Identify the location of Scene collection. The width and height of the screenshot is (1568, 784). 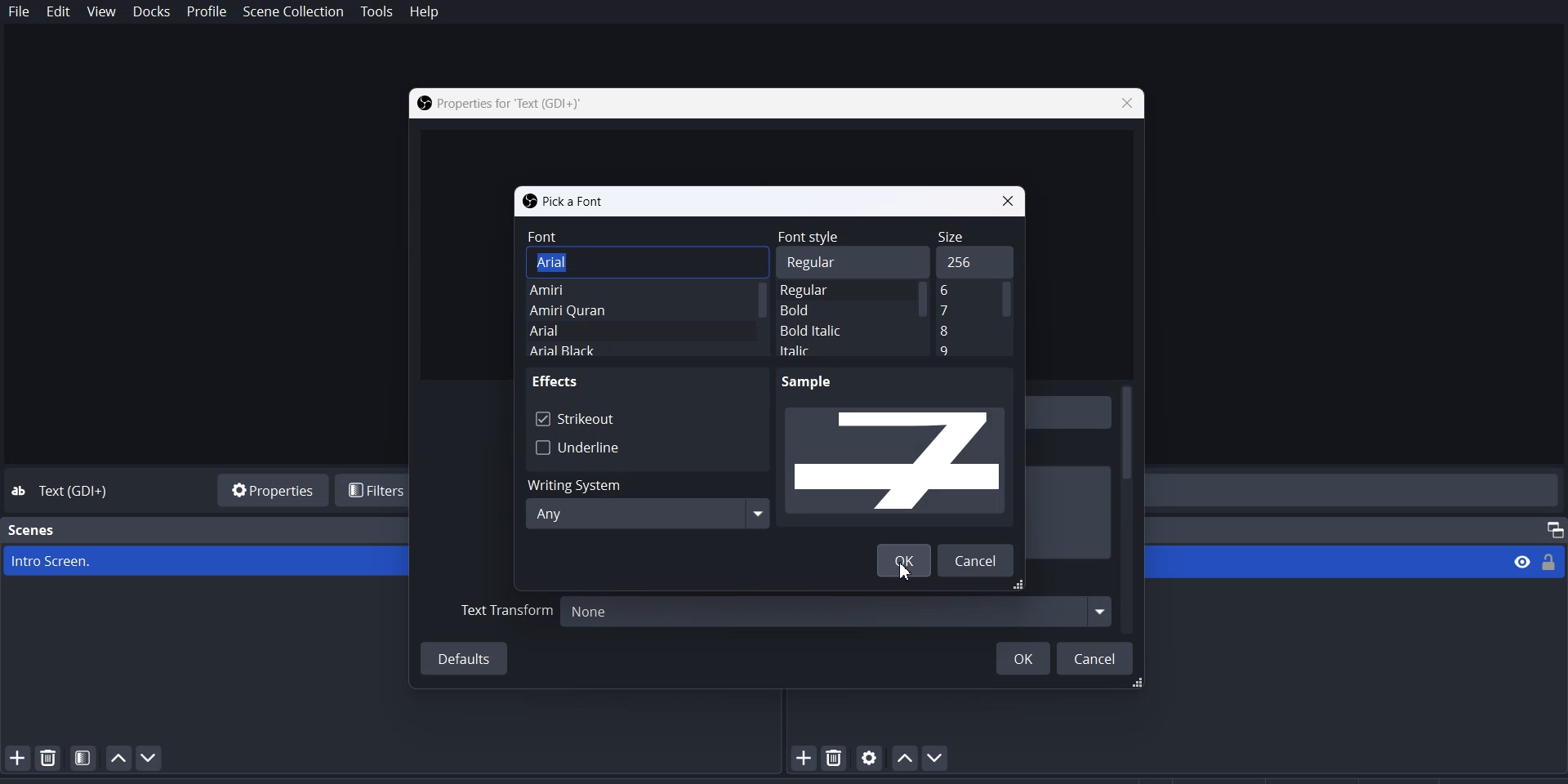
(295, 12).